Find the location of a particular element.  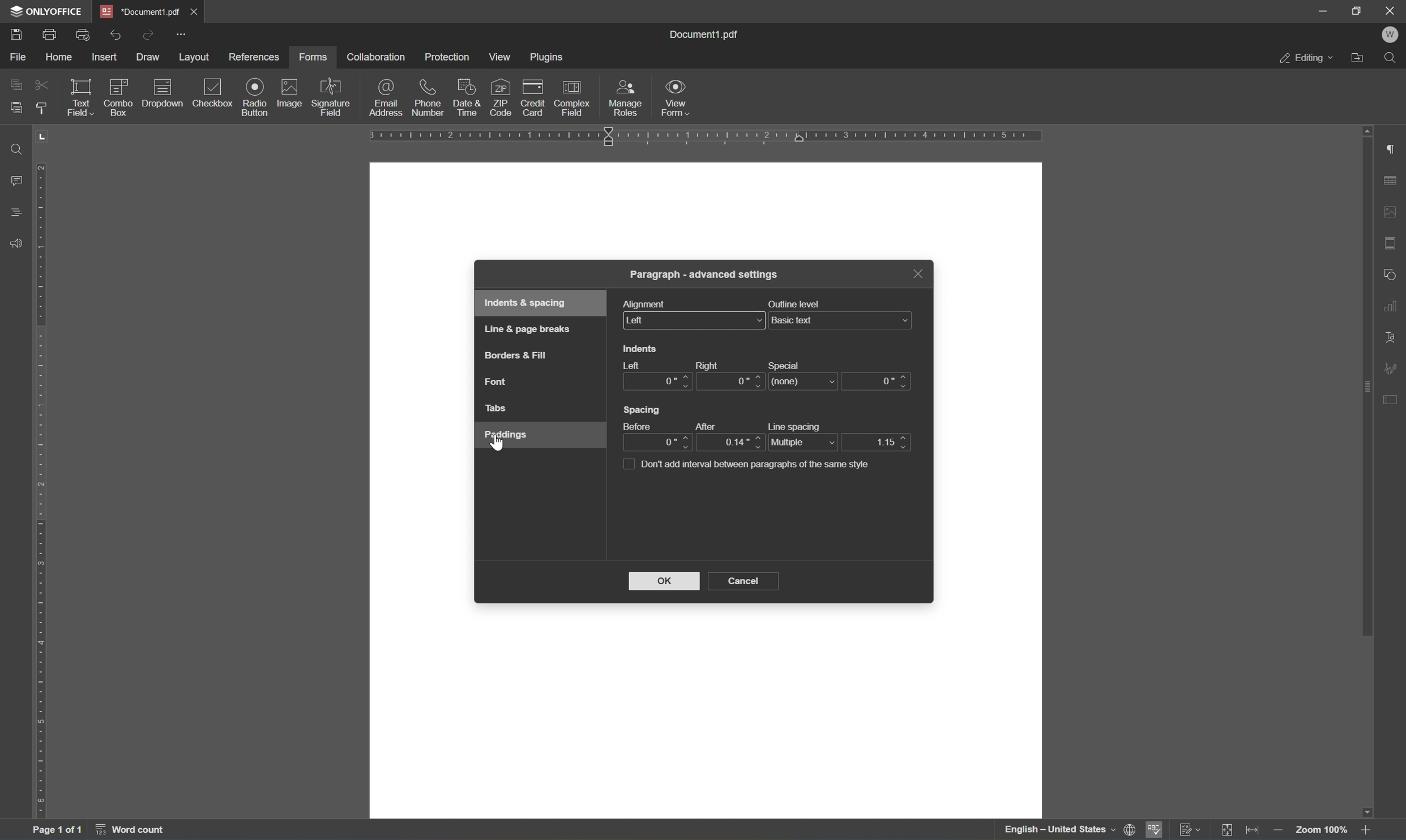

basic text is located at coordinates (841, 320).